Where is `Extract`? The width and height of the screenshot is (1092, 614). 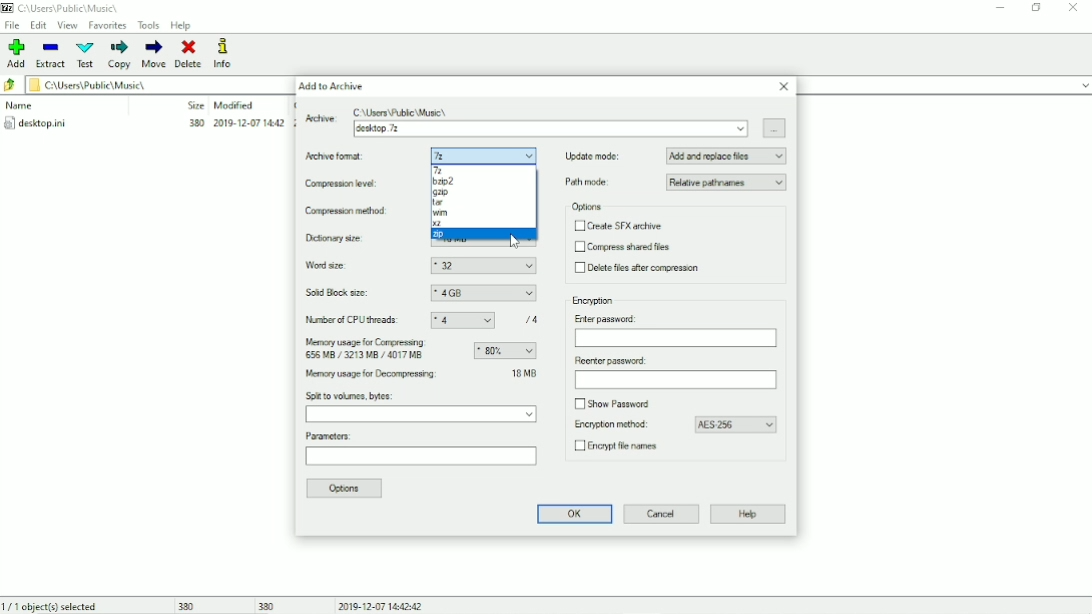
Extract is located at coordinates (51, 56).